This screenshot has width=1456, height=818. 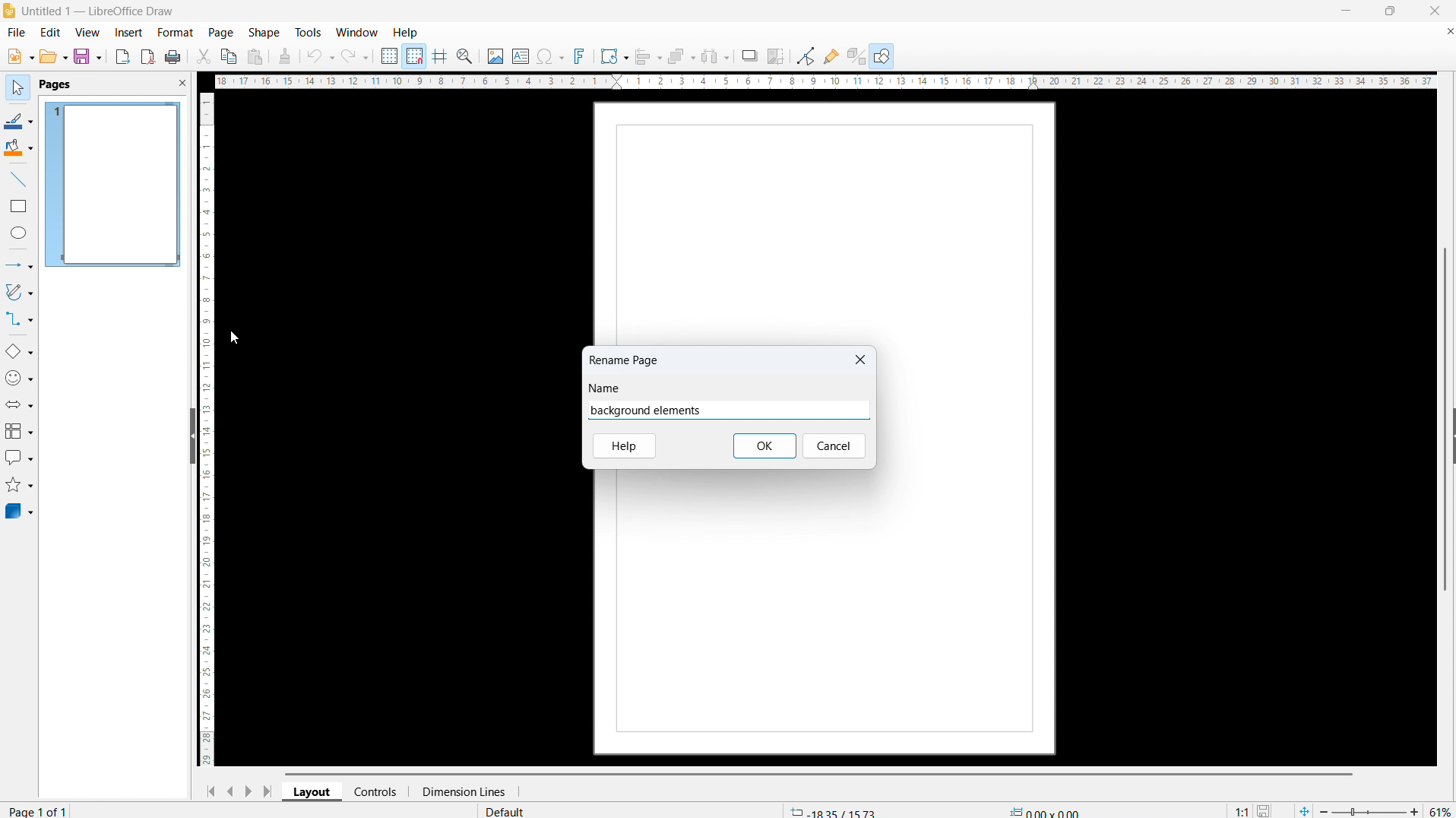 I want to click on layout, so click(x=312, y=792).